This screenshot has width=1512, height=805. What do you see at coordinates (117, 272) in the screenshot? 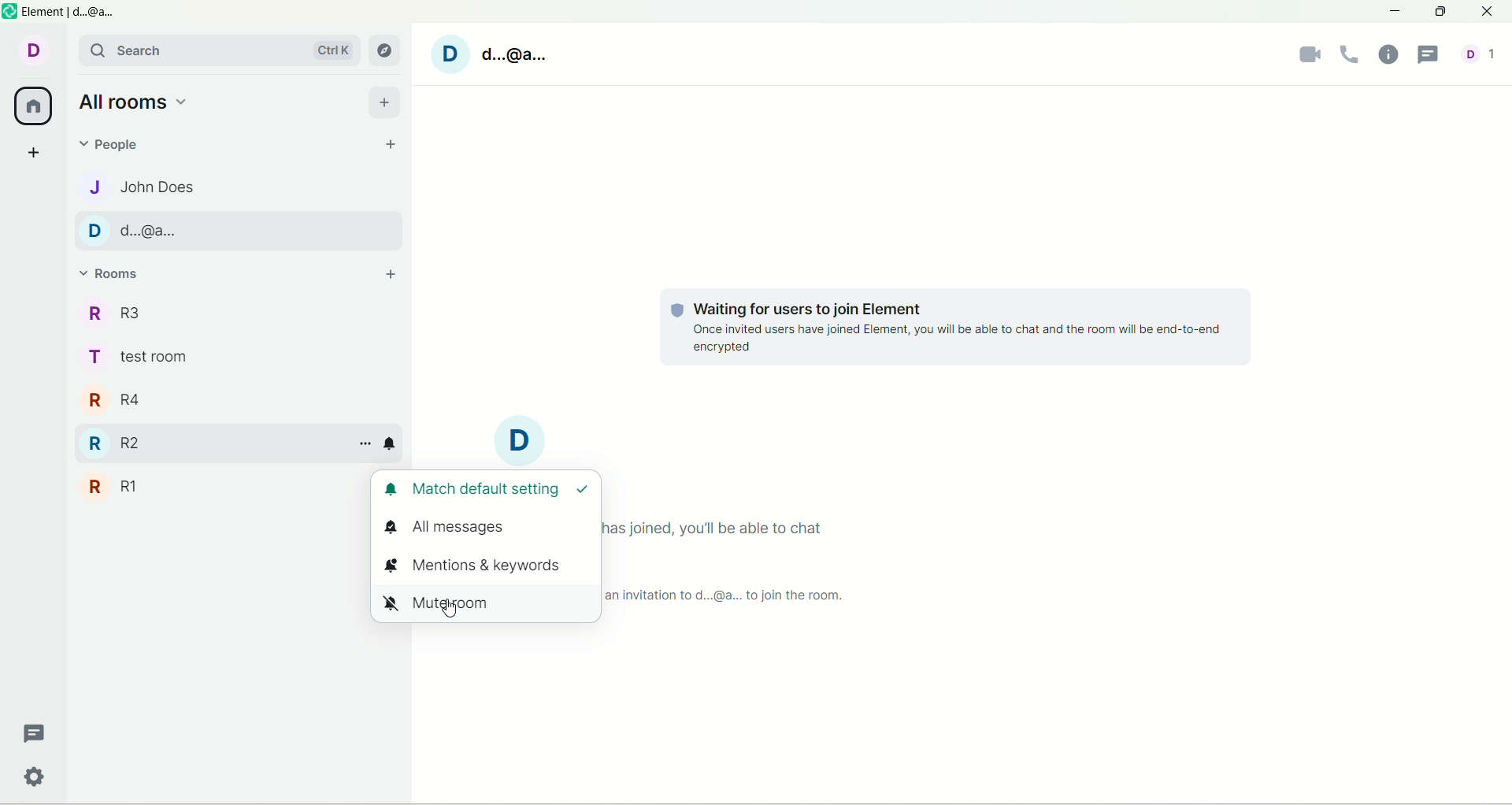
I see `rooms` at bounding box center [117, 272].